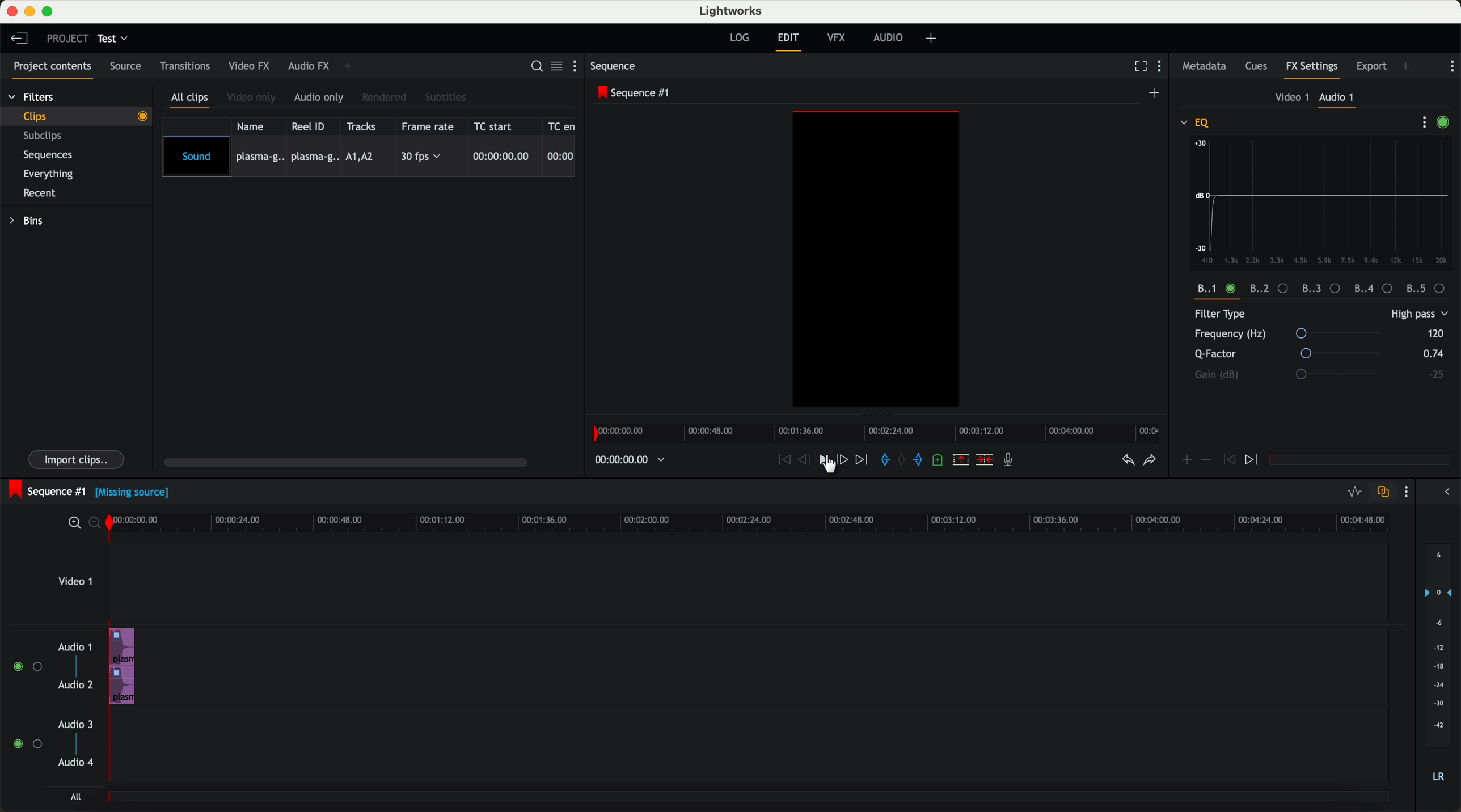  Describe the element at coordinates (74, 523) in the screenshot. I see `zoom in` at that location.